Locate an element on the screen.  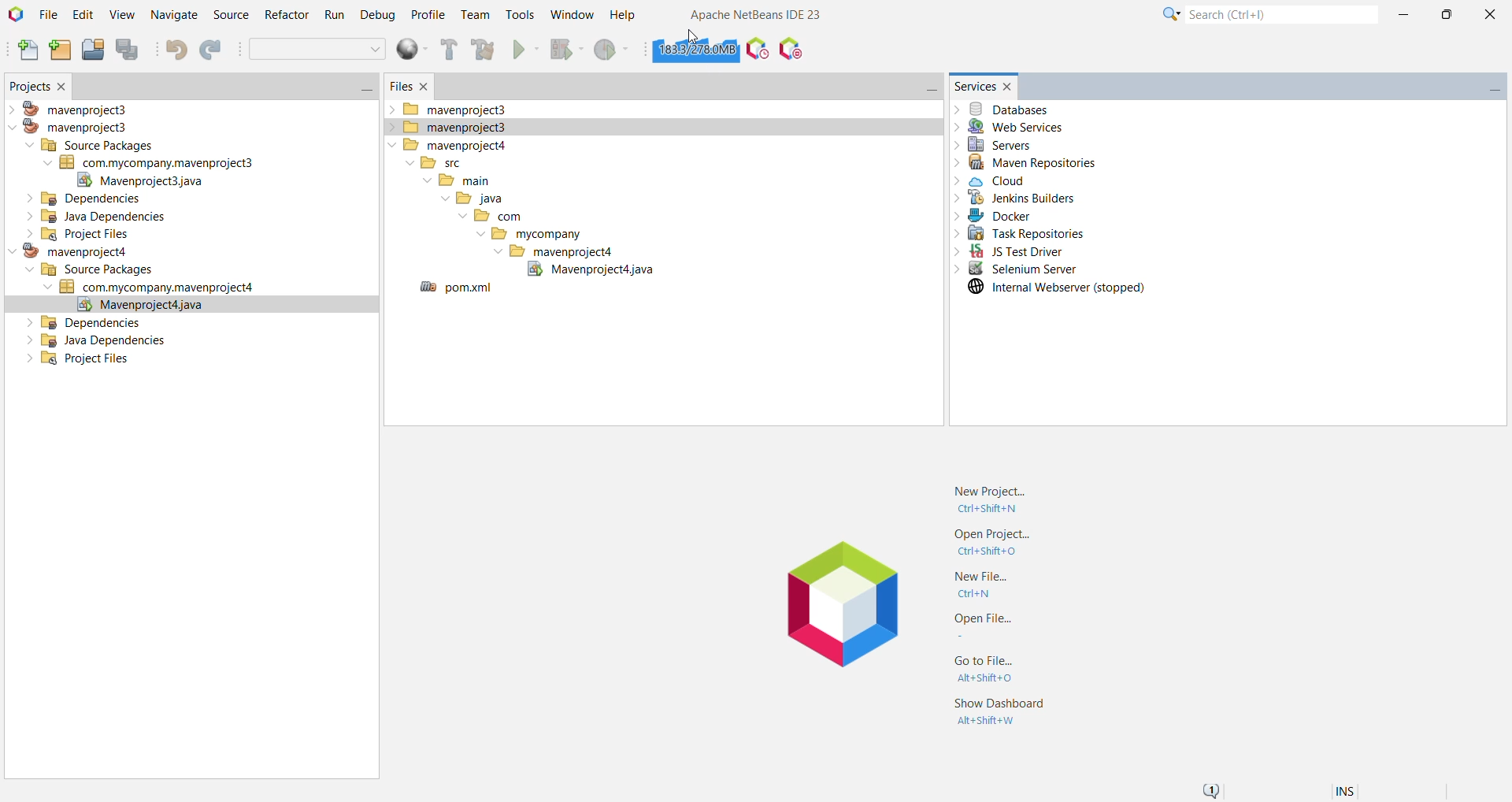
mavenproject4 is located at coordinates (558, 254).